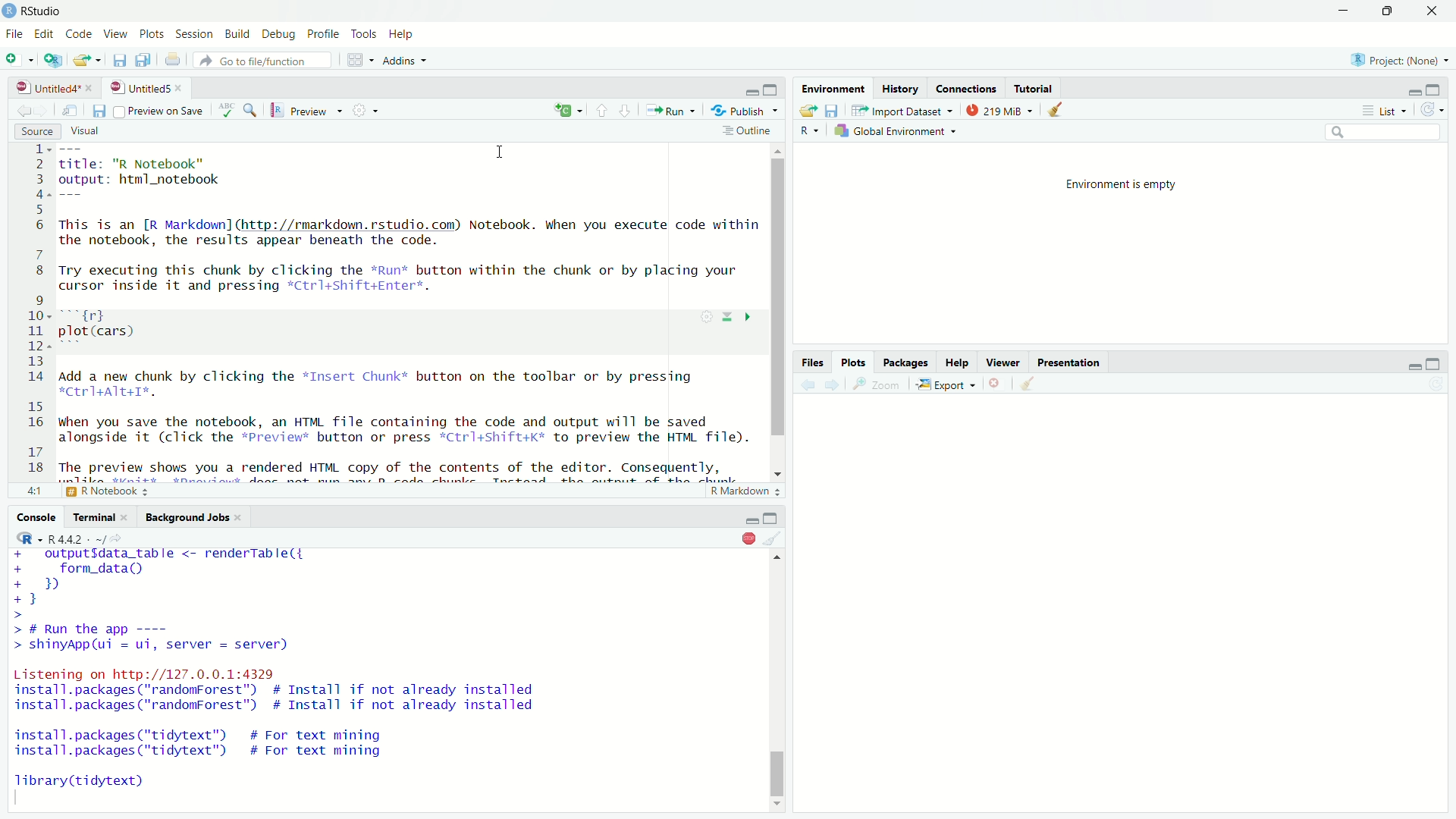 This screenshot has height=819, width=1456. Describe the element at coordinates (38, 132) in the screenshot. I see `Source` at that location.